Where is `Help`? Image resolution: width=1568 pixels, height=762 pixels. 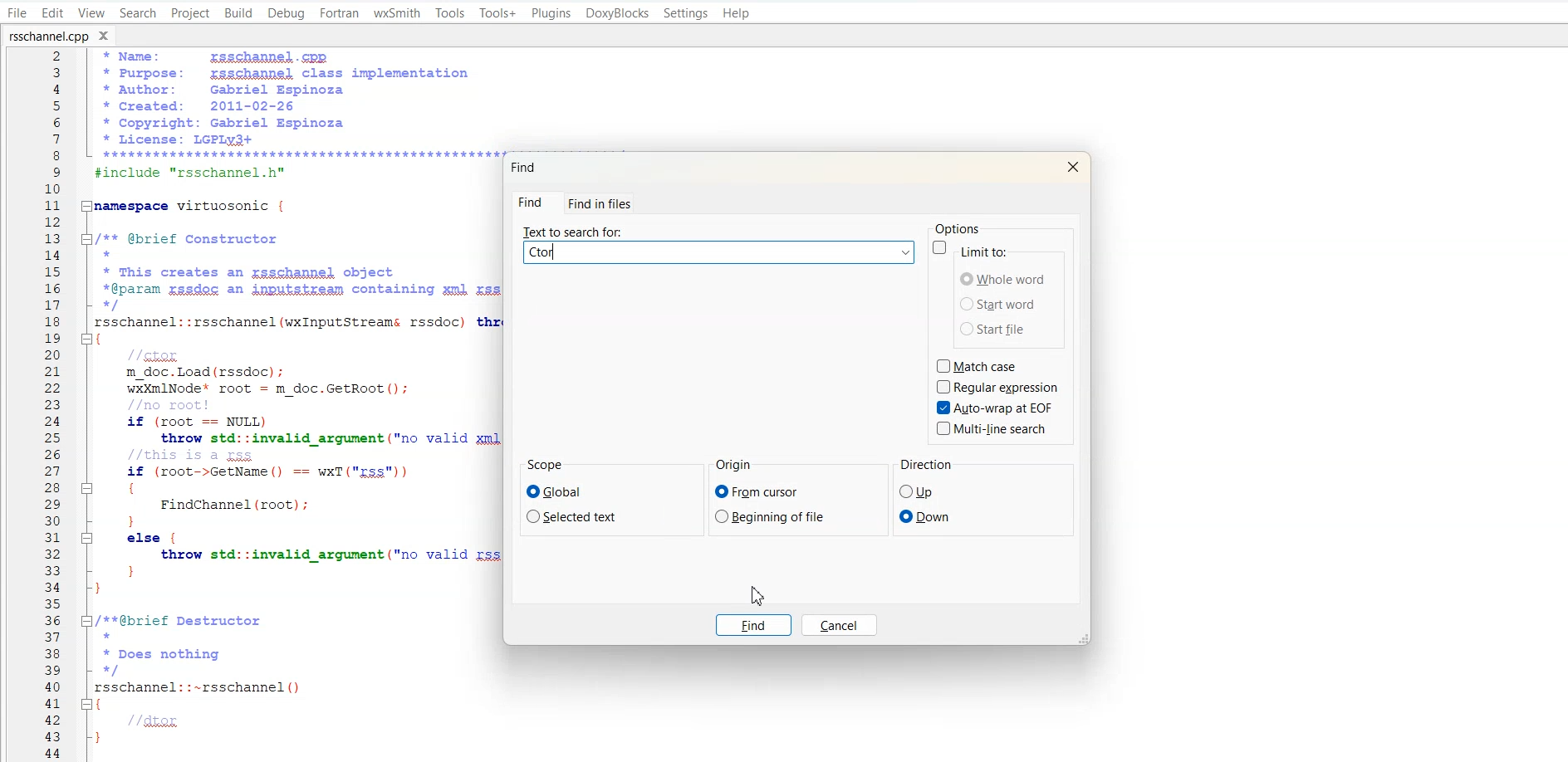
Help is located at coordinates (737, 13).